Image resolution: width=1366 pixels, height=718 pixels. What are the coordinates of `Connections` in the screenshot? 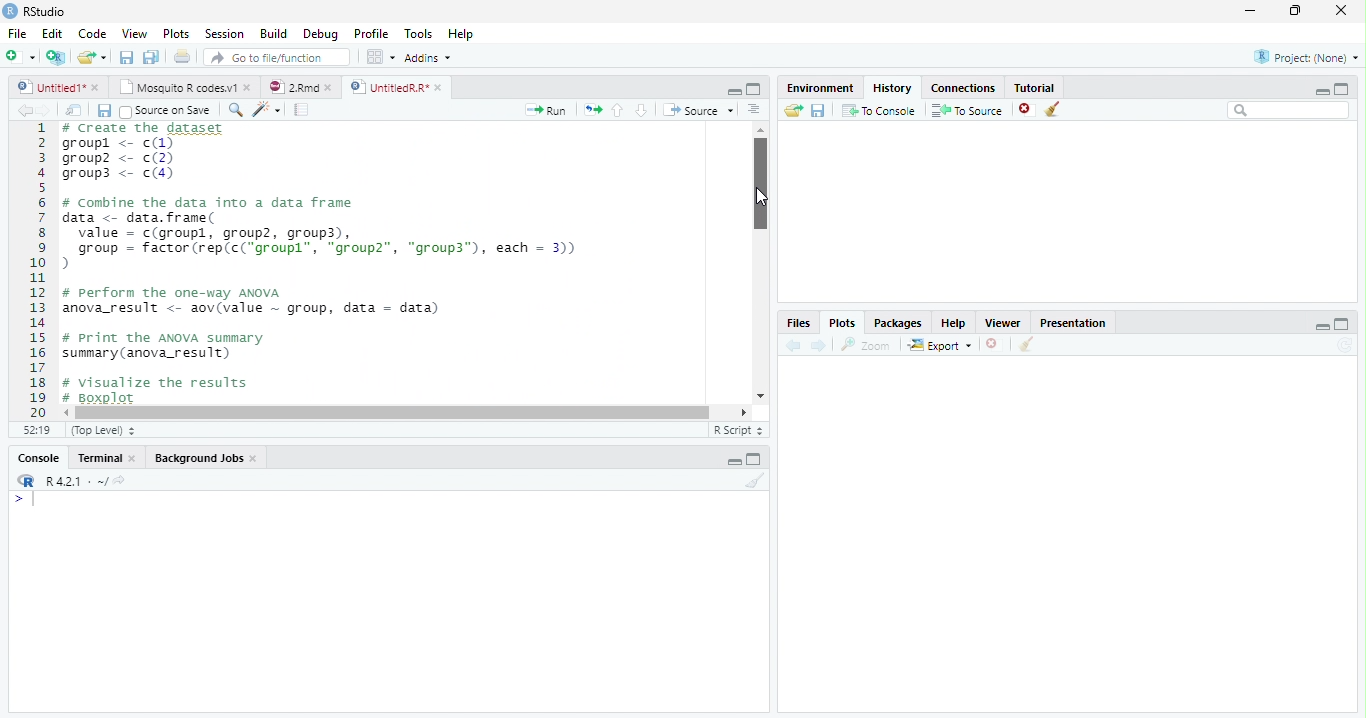 It's located at (965, 86).